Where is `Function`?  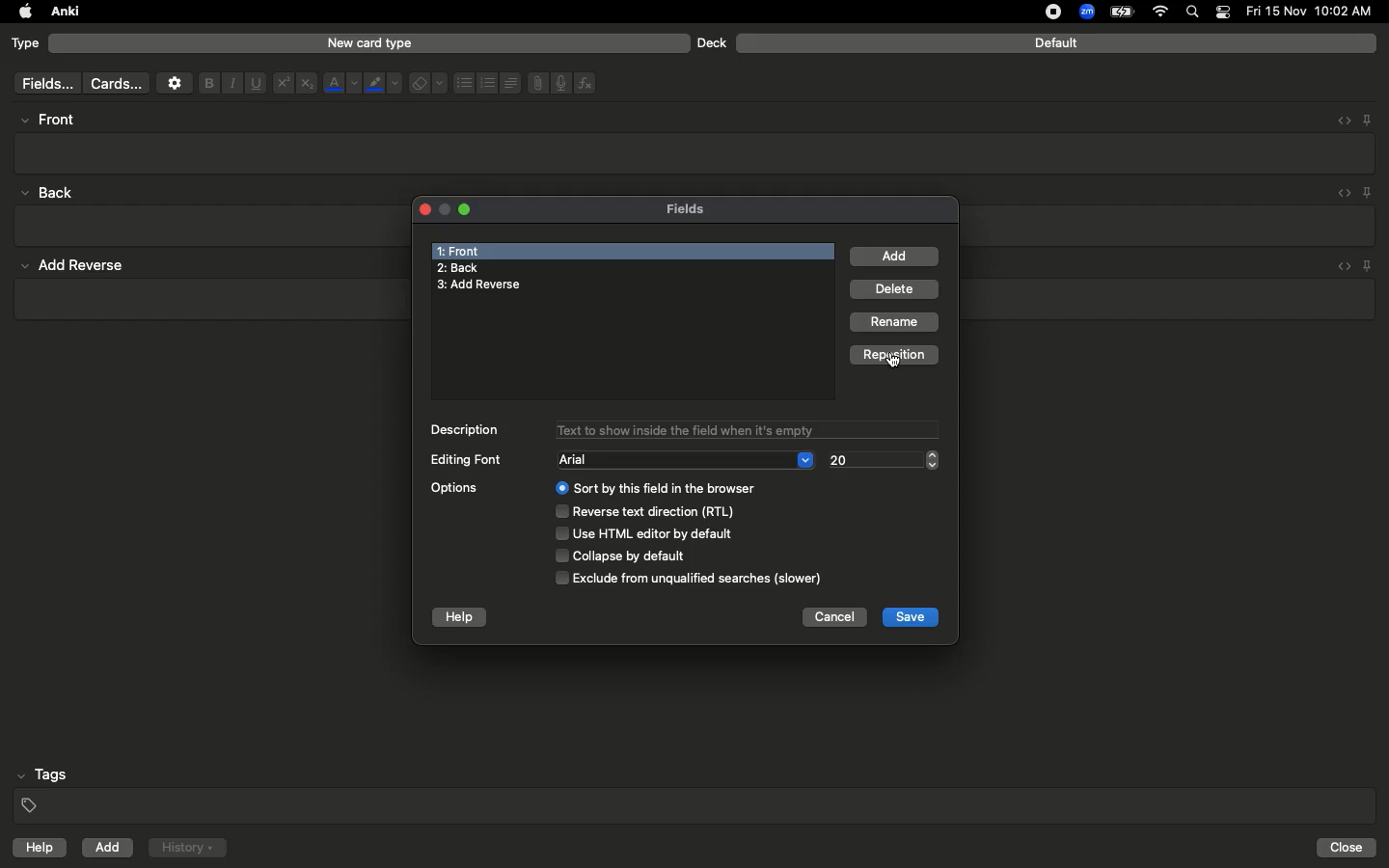 Function is located at coordinates (586, 83).